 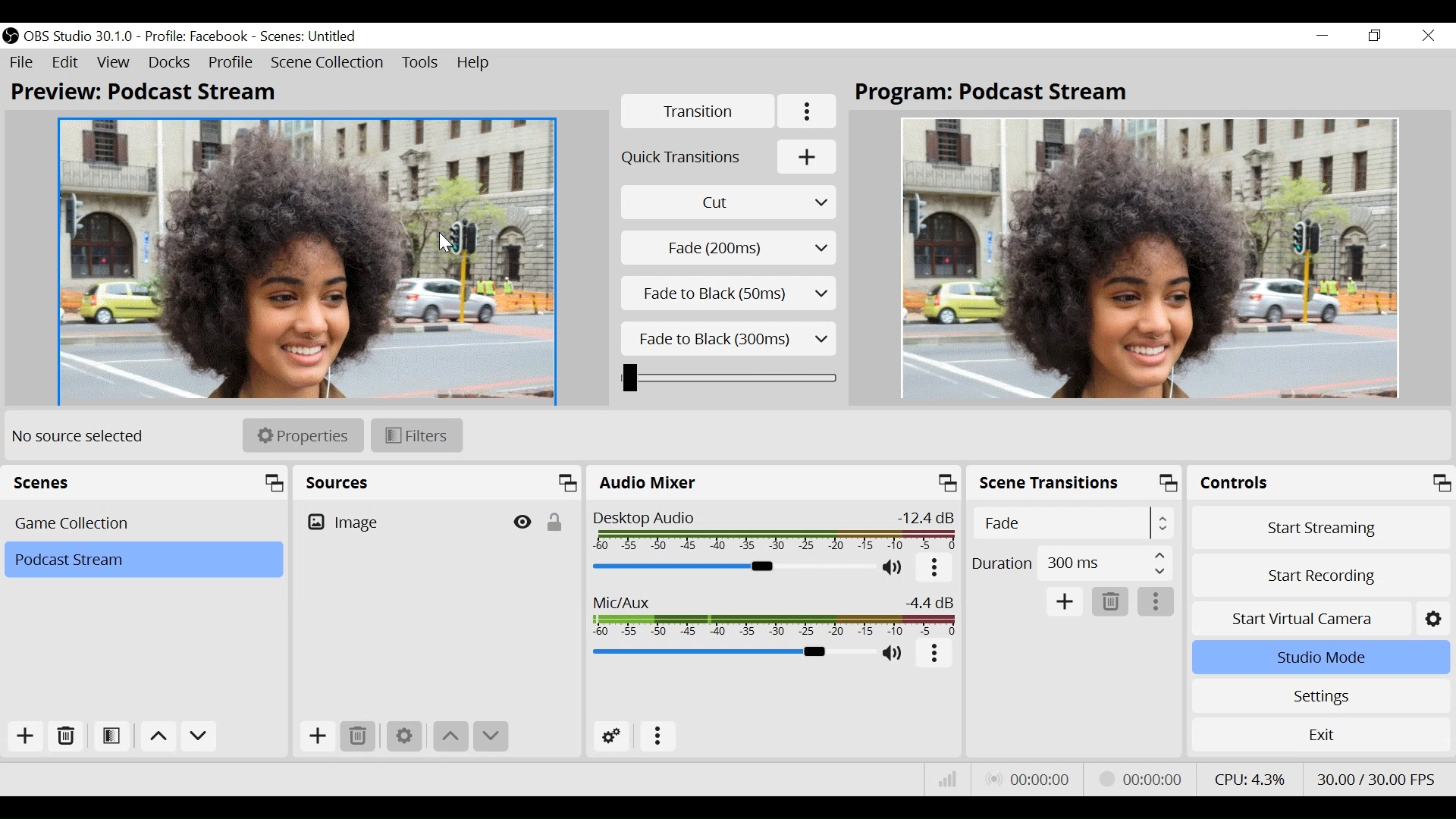 What do you see at coordinates (152, 93) in the screenshot?
I see `Preview: Scene` at bounding box center [152, 93].